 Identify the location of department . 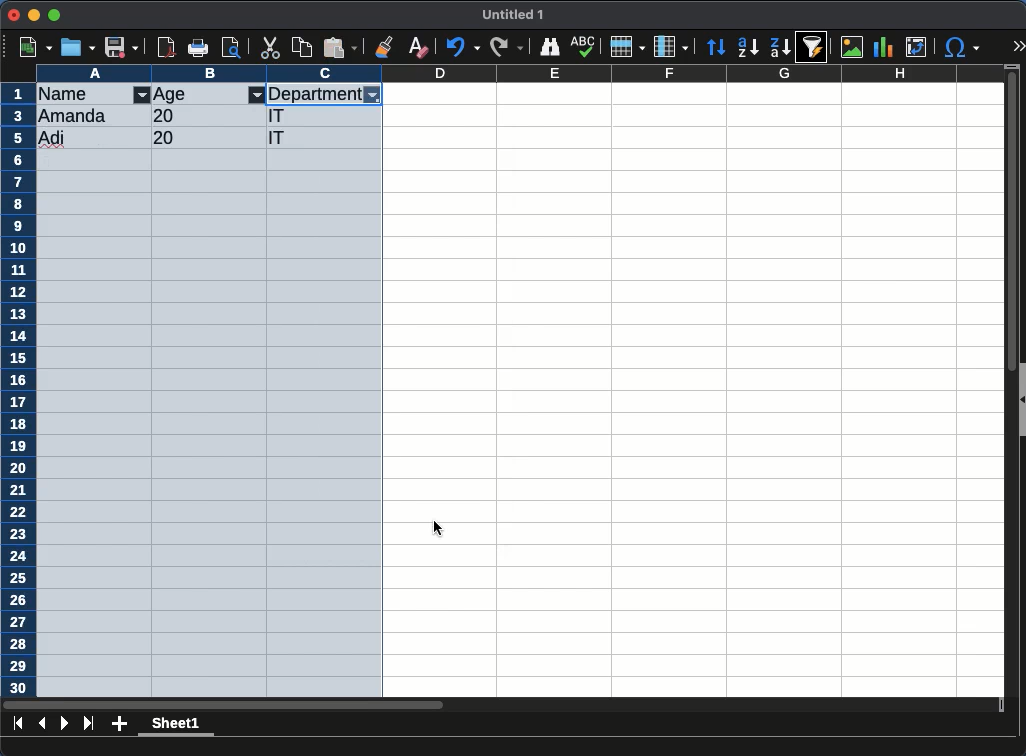
(314, 93).